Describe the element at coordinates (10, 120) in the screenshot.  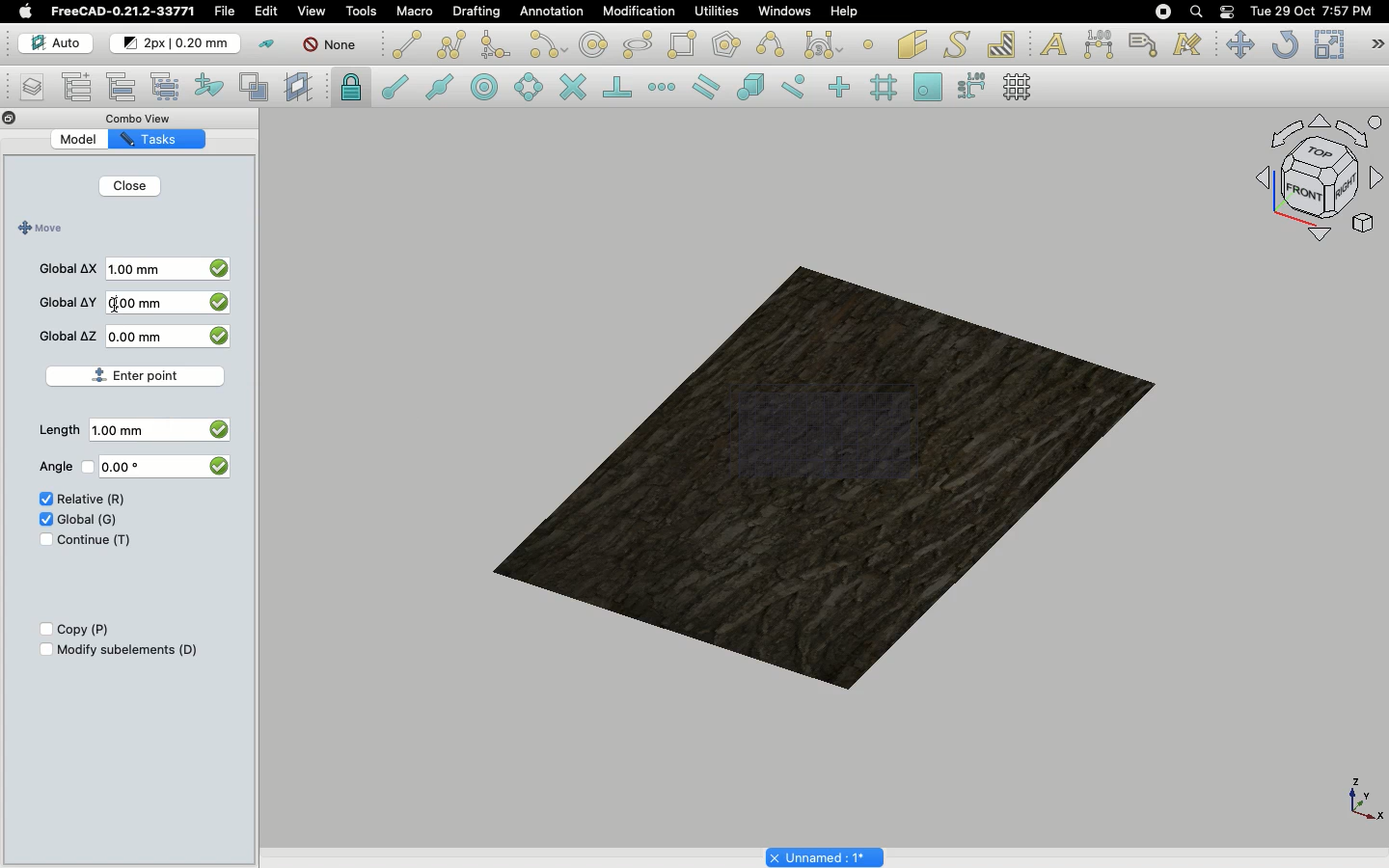
I see `Close` at that location.